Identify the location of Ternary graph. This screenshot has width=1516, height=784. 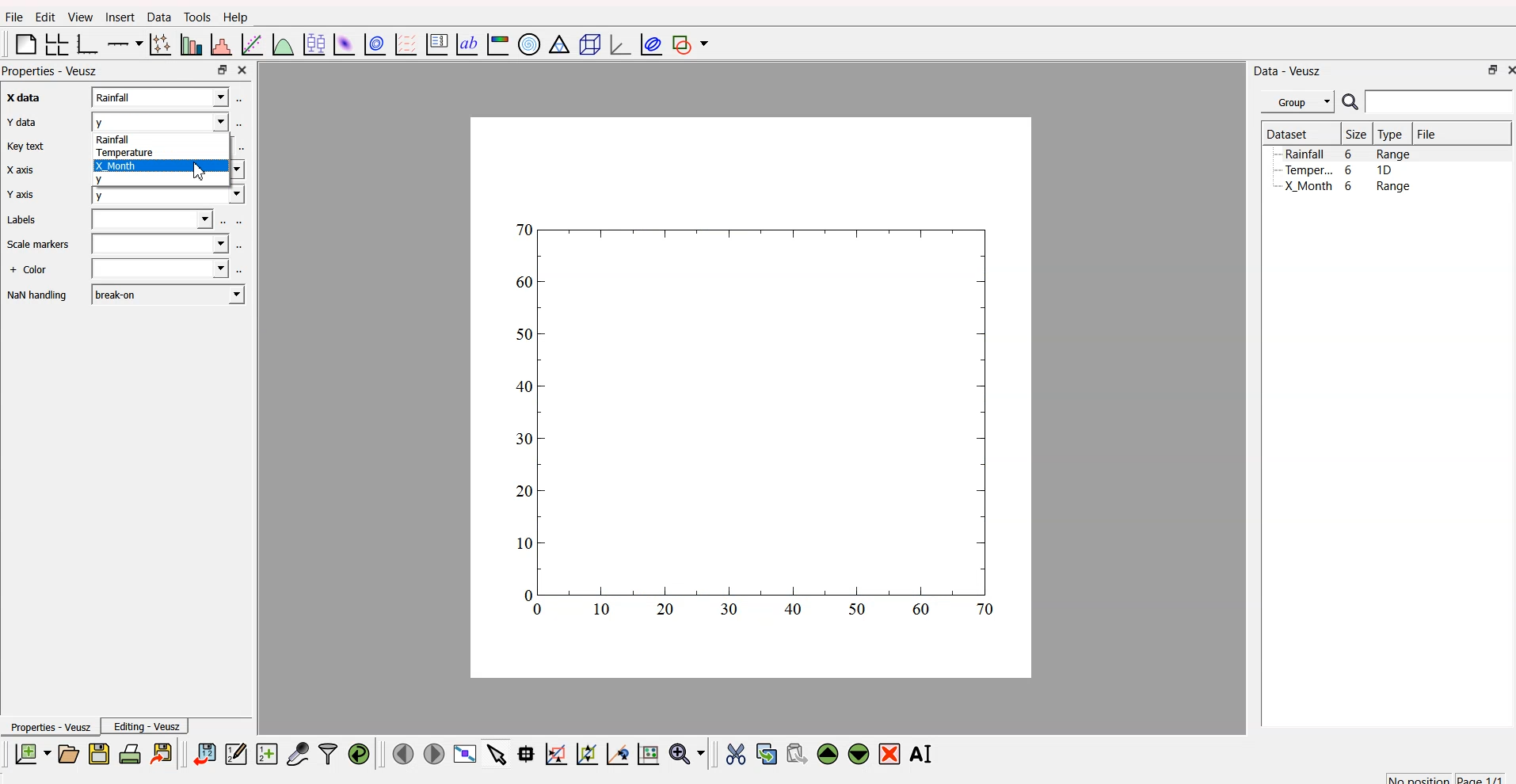
(556, 45).